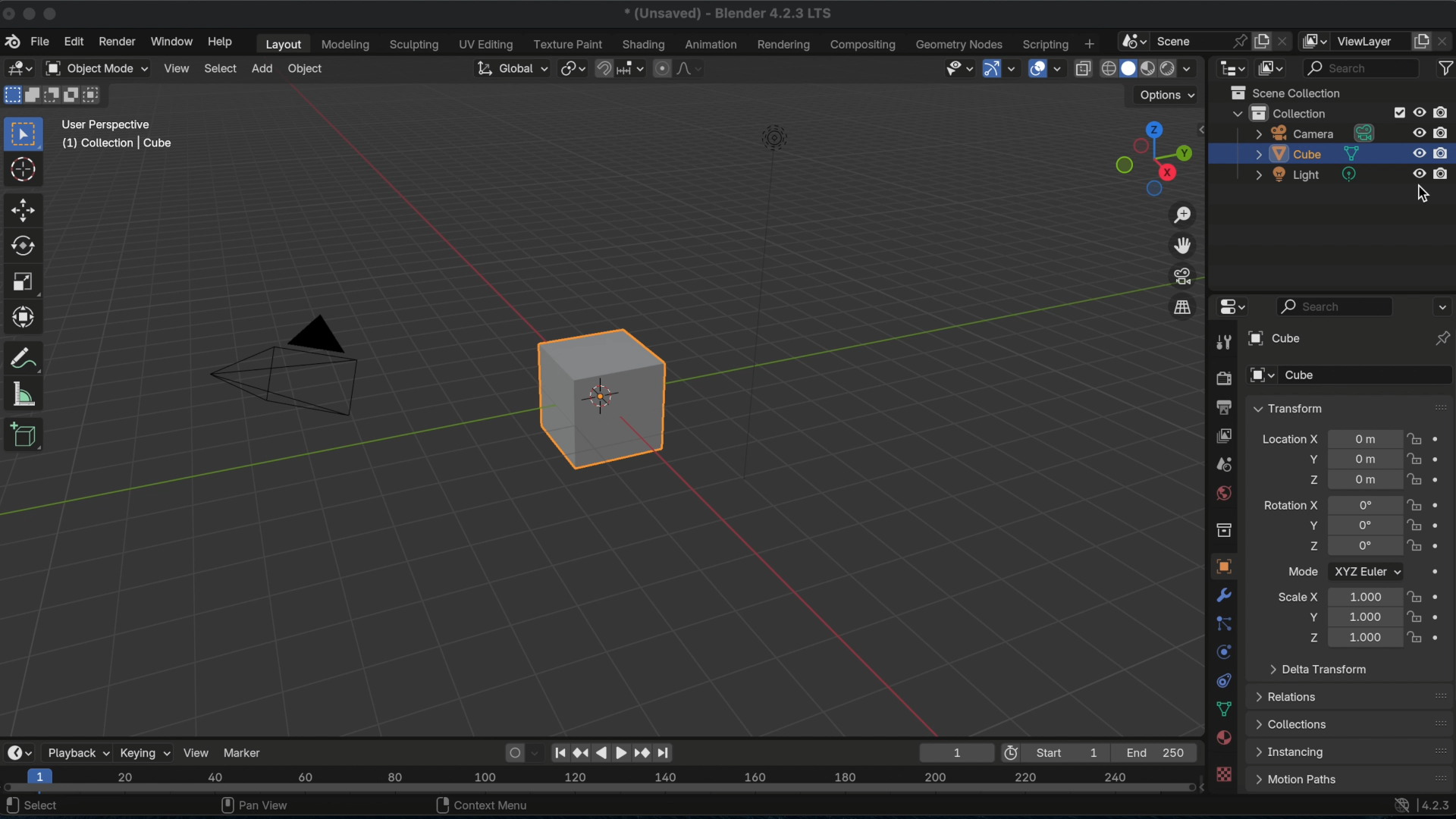  I want to click on rotation X, so click(1290, 504).